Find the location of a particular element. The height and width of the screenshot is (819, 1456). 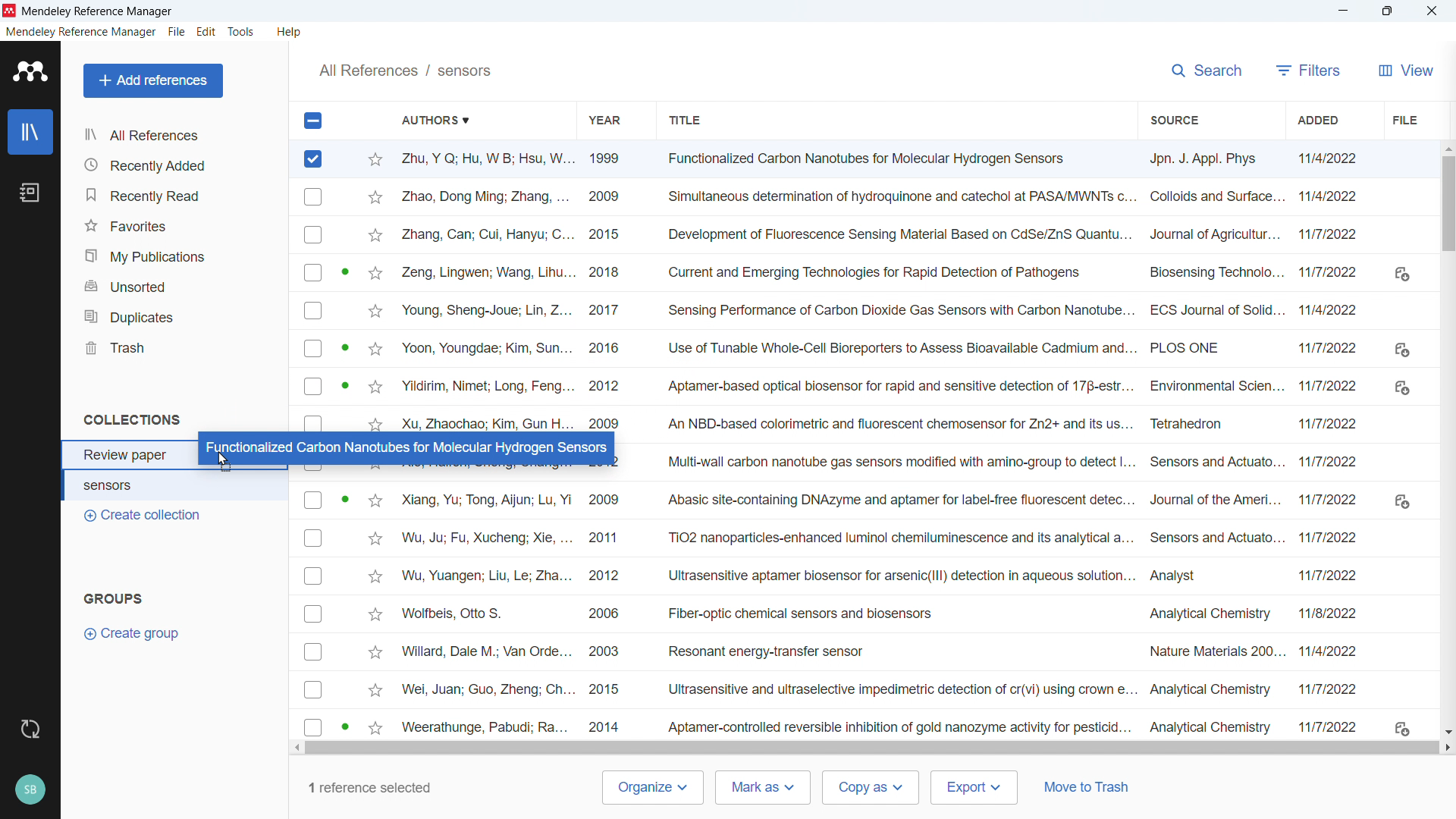

Recently added  is located at coordinates (178, 164).